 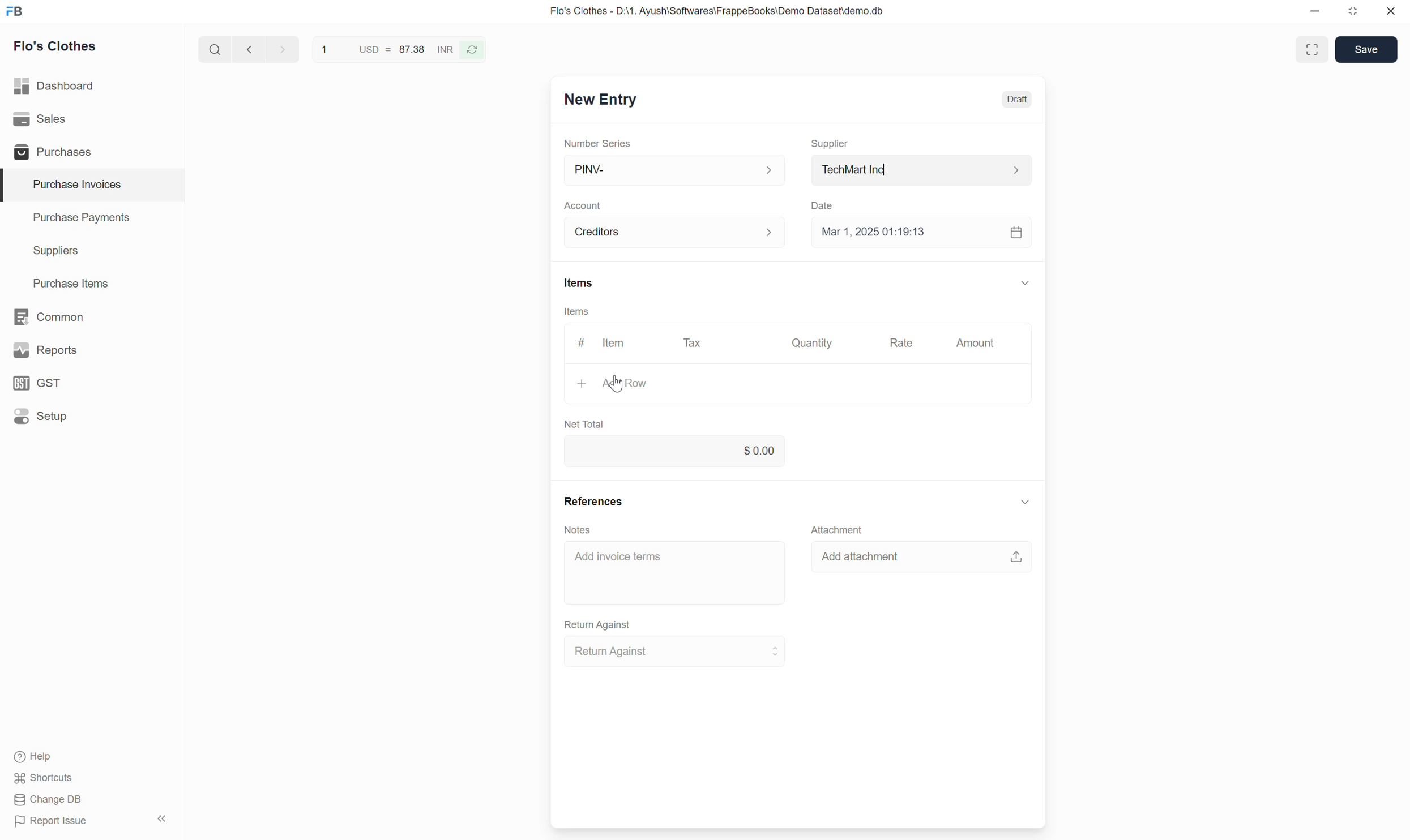 I want to click on close, so click(x=1391, y=13).